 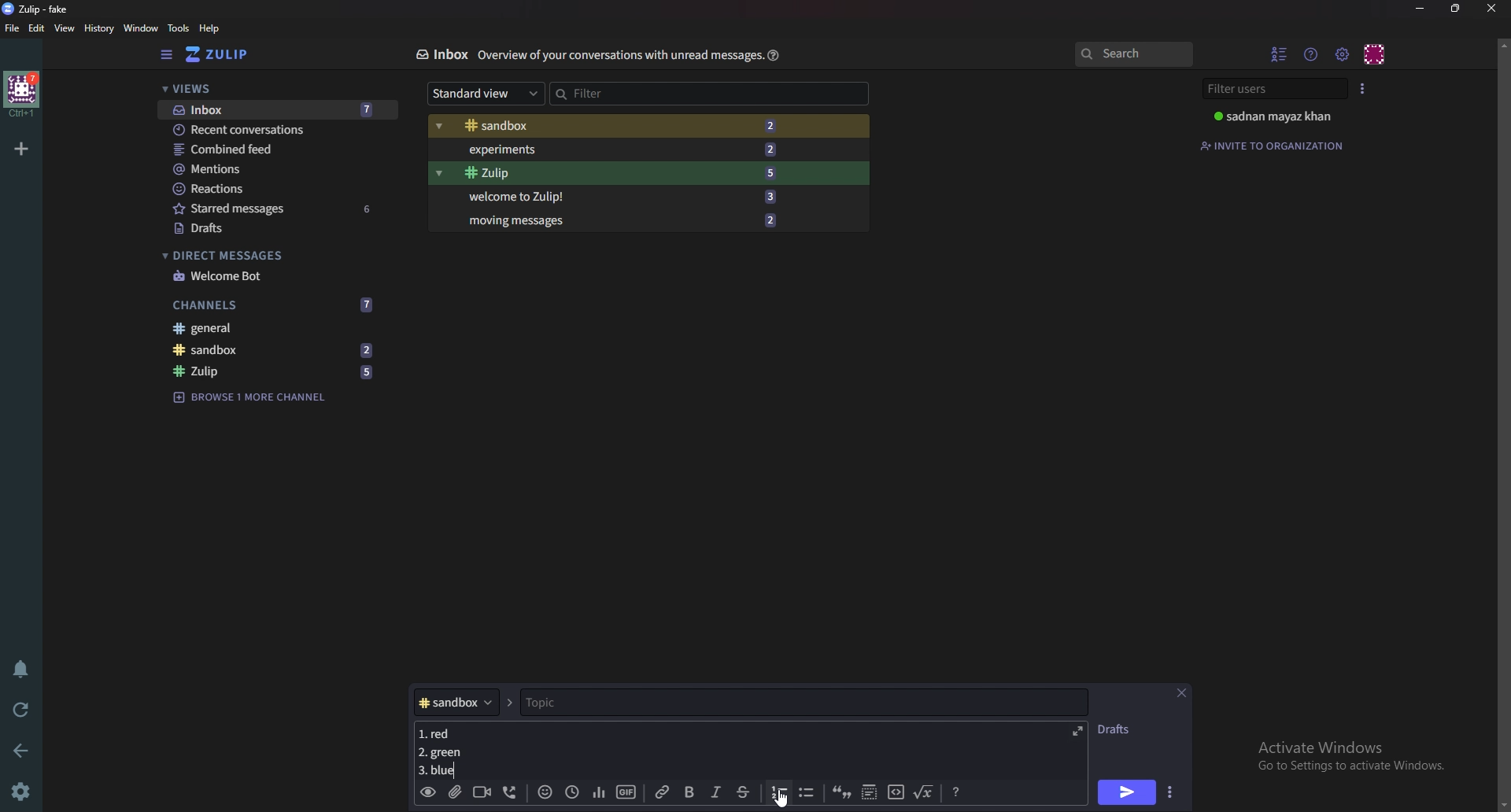 I want to click on Experiments, so click(x=622, y=149).